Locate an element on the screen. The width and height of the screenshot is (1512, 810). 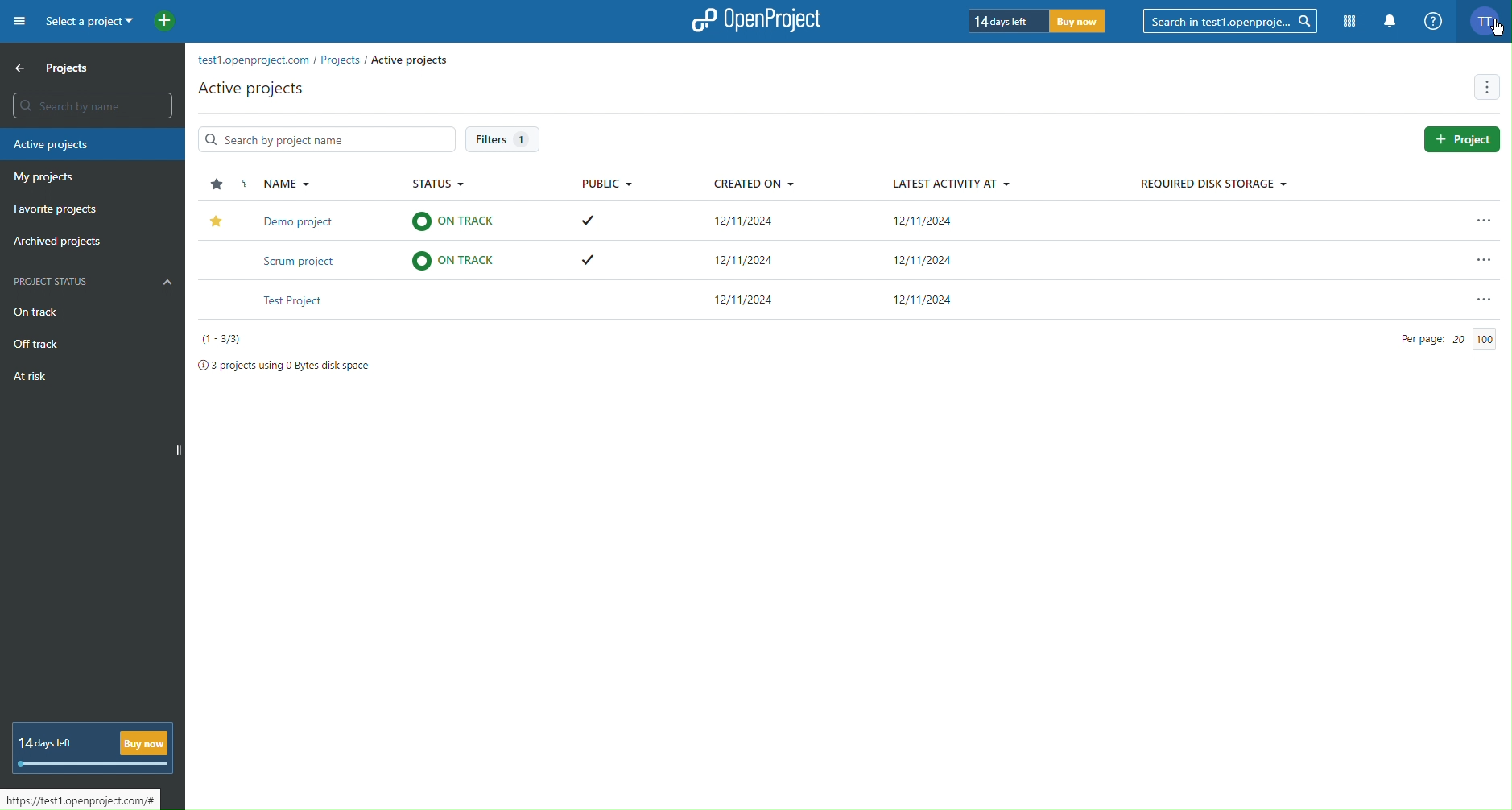
Favorite projects is located at coordinates (52, 209).